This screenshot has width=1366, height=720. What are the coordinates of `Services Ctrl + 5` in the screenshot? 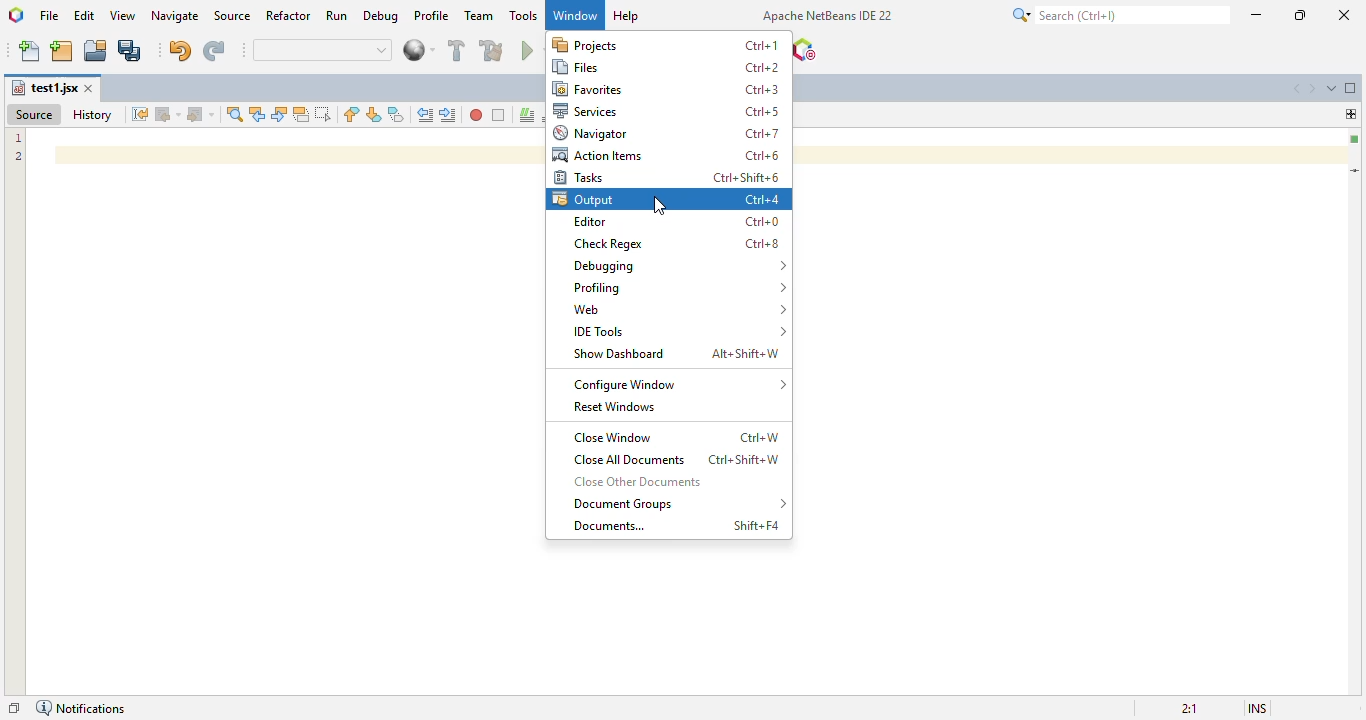 It's located at (665, 112).